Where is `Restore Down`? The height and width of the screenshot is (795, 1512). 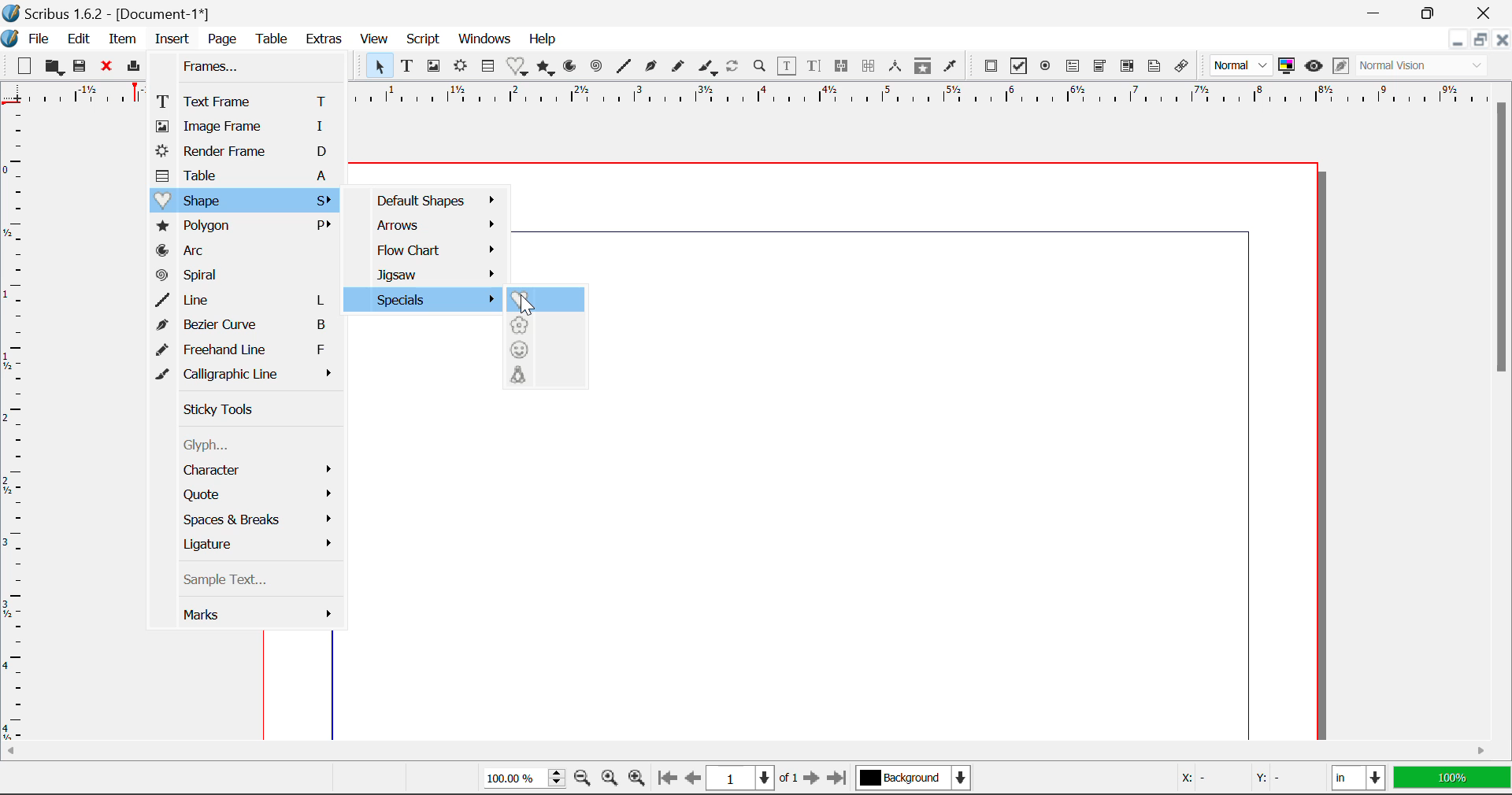 Restore Down is located at coordinates (1459, 42).